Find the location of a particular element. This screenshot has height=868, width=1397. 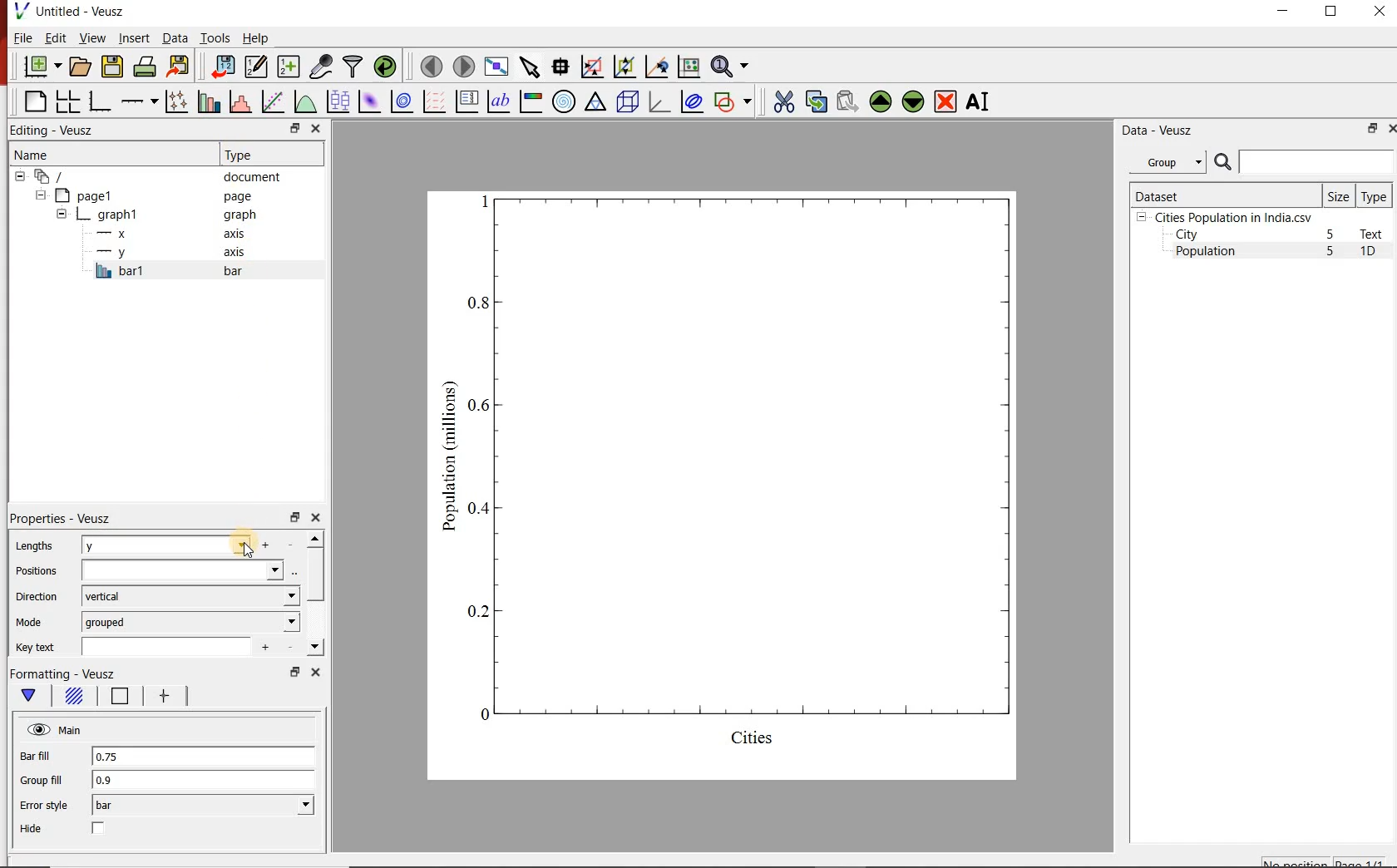

Direction is located at coordinates (35, 596).